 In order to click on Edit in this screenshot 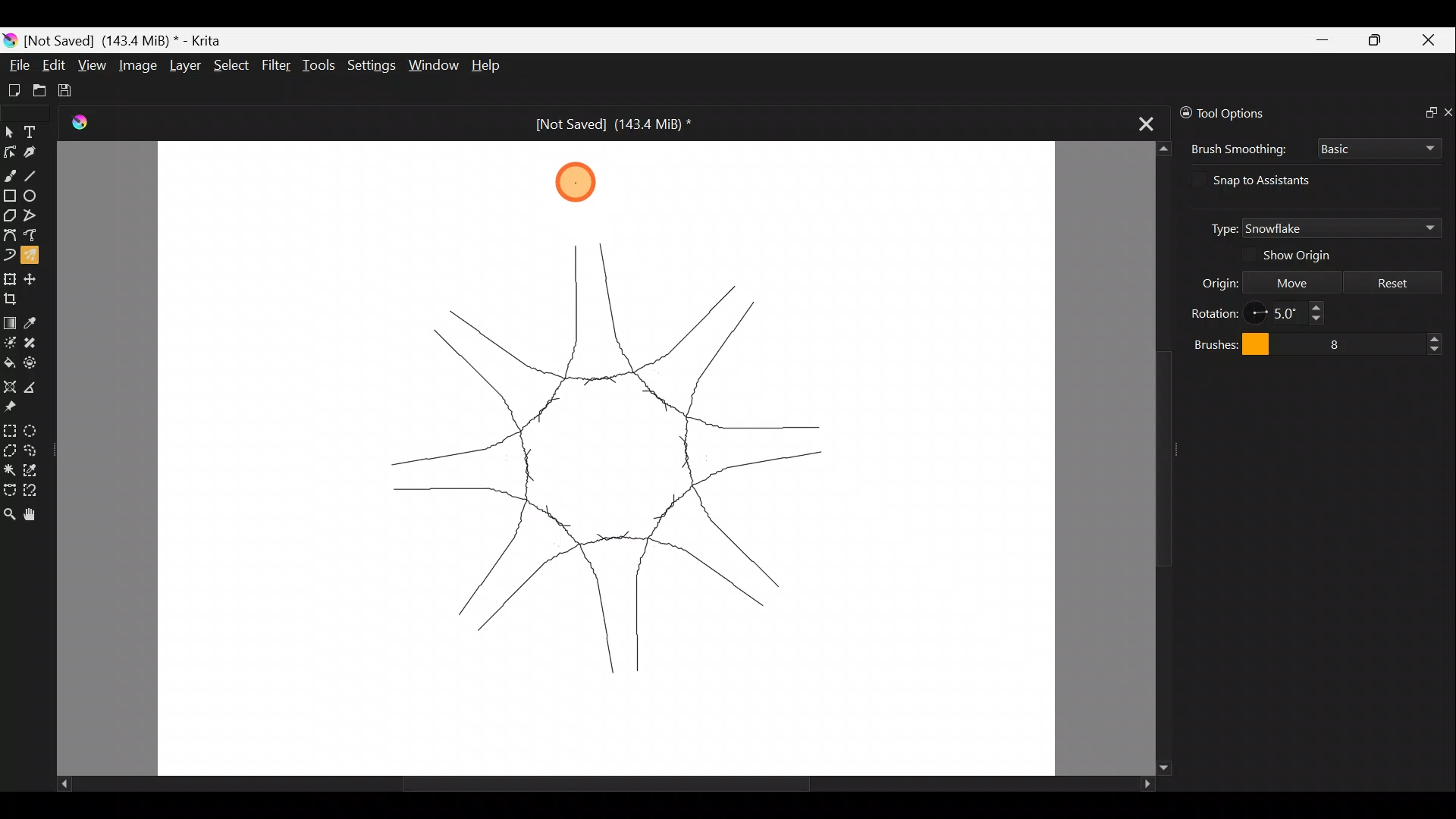, I will do `click(54, 66)`.